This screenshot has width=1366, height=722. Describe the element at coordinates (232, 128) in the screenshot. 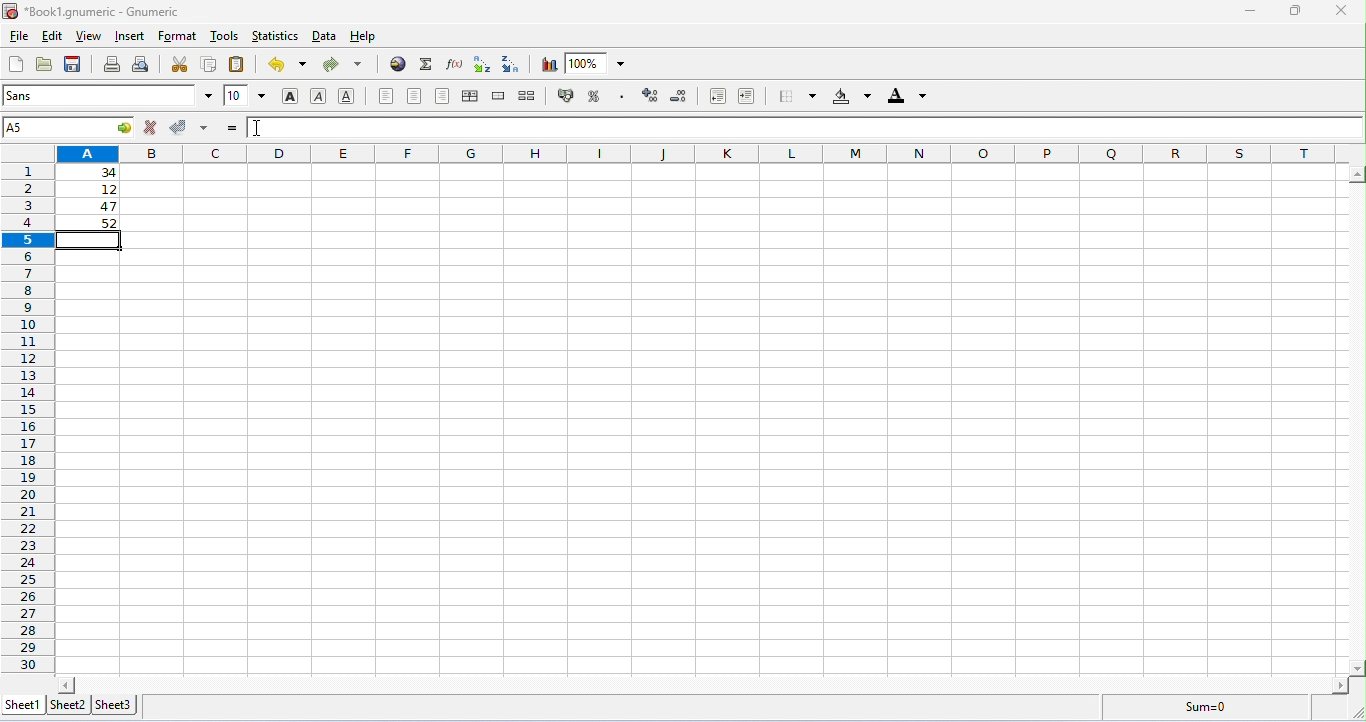

I see `=` at that location.